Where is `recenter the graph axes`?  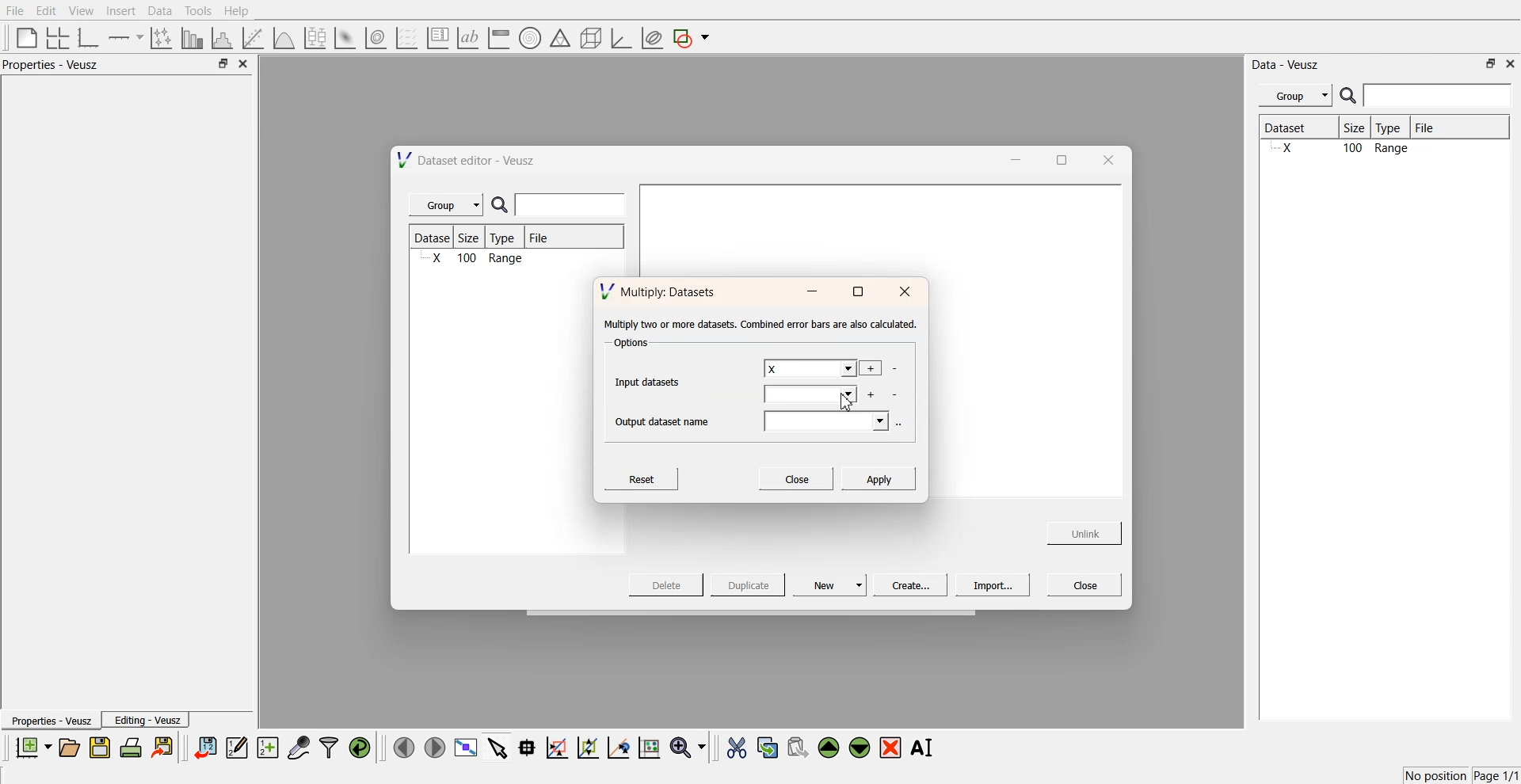
recenter the graph axes is located at coordinates (618, 747).